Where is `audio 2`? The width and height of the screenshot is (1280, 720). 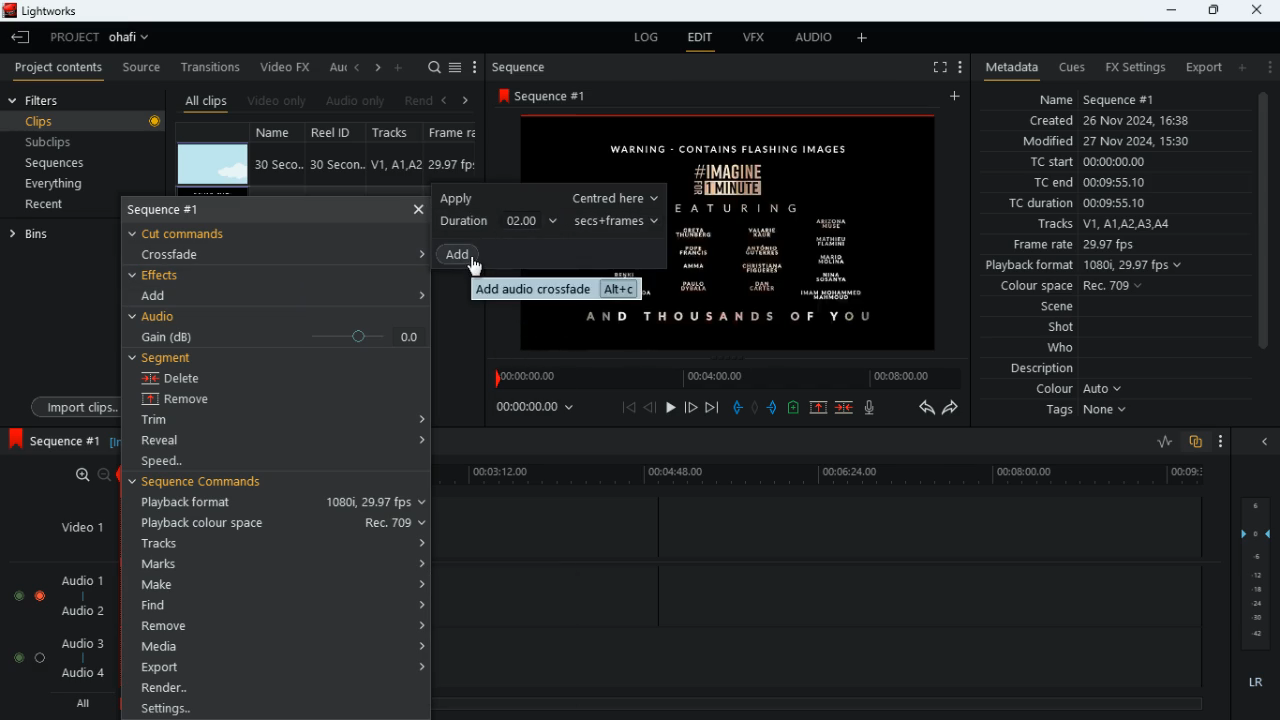 audio 2 is located at coordinates (78, 613).